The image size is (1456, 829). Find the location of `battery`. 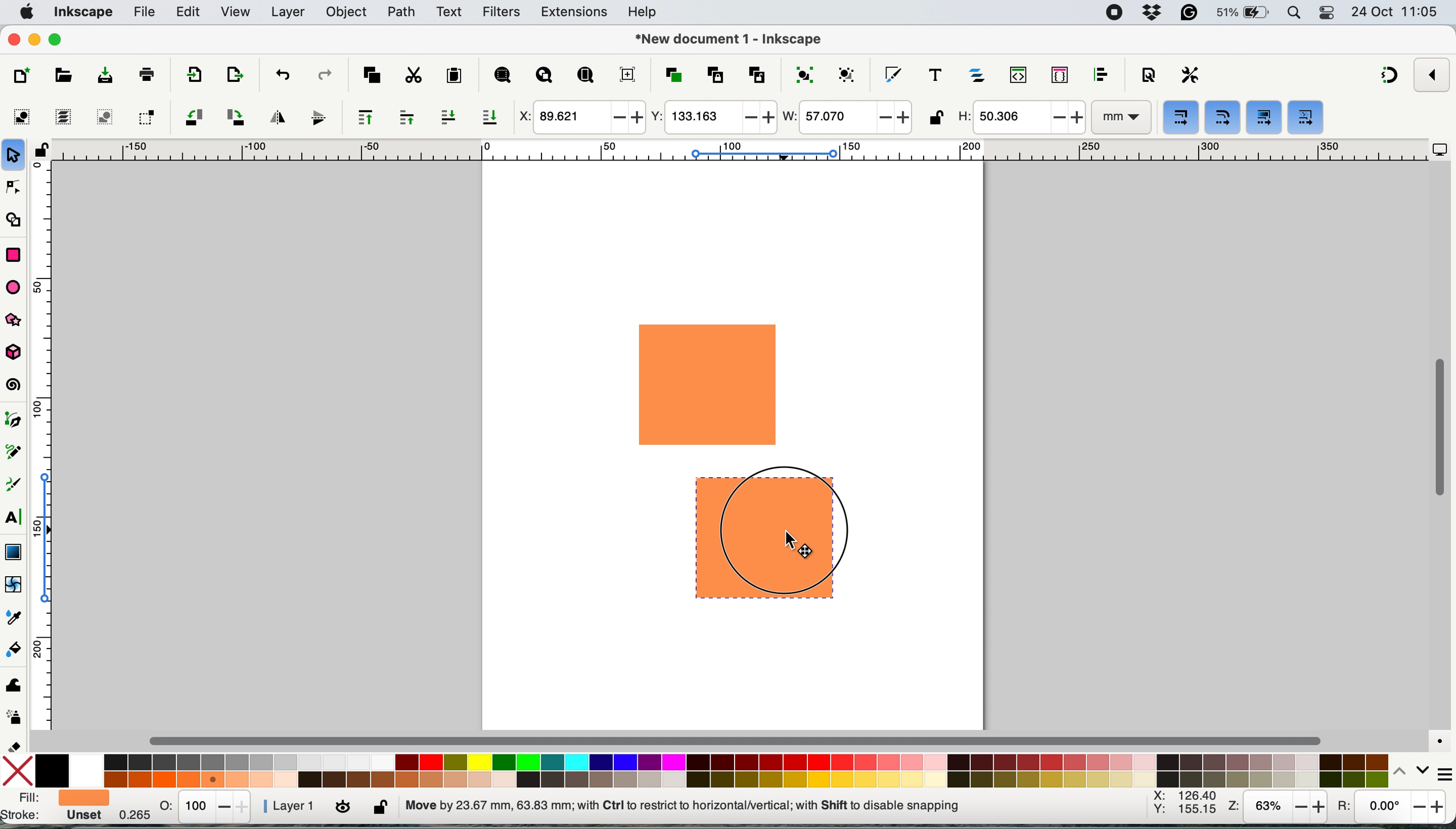

battery is located at coordinates (1244, 13).